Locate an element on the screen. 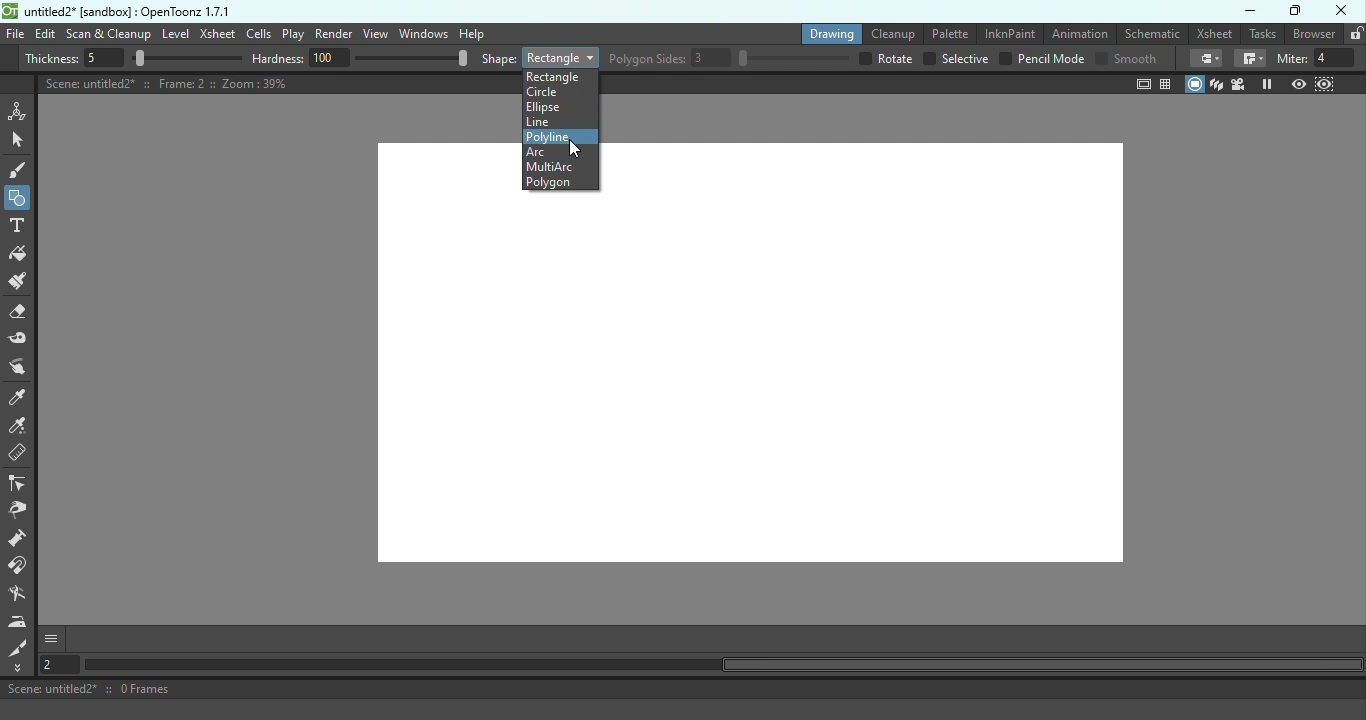 This screenshot has height=720, width=1366. untitled2* [sandbox] : OpenToonz 1.7.1 is located at coordinates (116, 10).